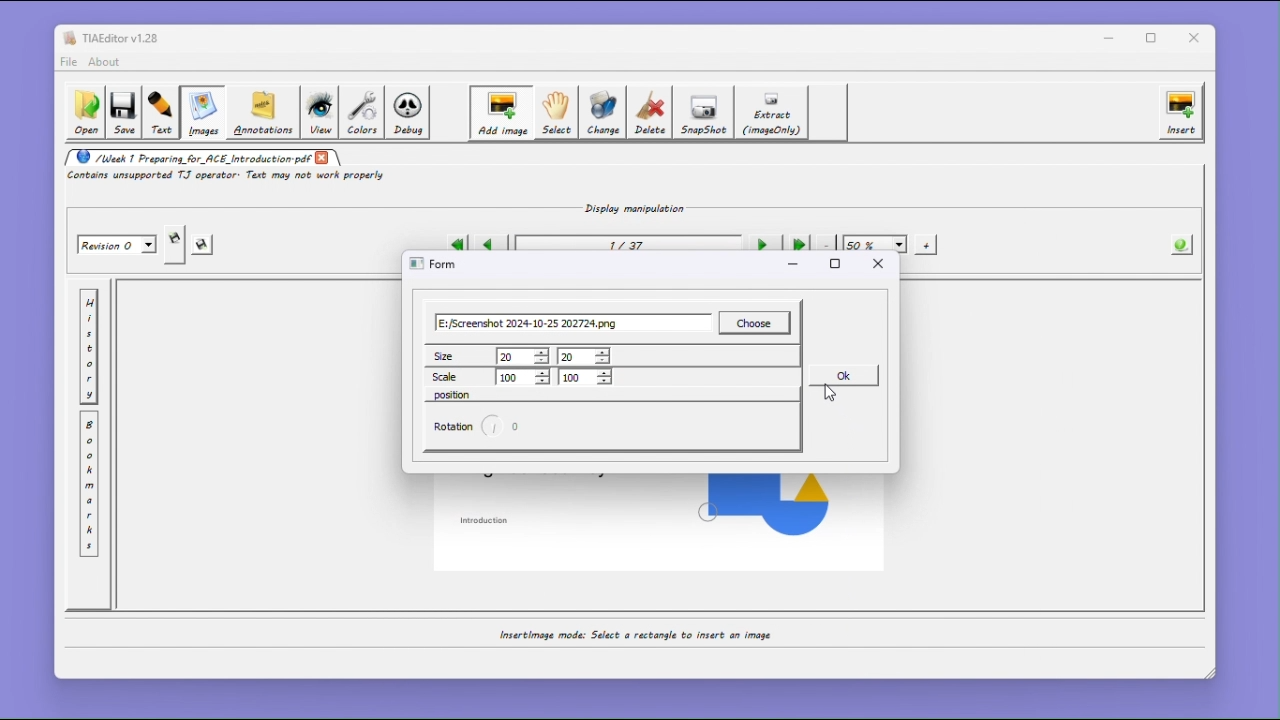 The height and width of the screenshot is (720, 1280). What do you see at coordinates (229, 177) in the screenshot?
I see `Contains unsupported TJ operator. Text may not work properly` at bounding box center [229, 177].